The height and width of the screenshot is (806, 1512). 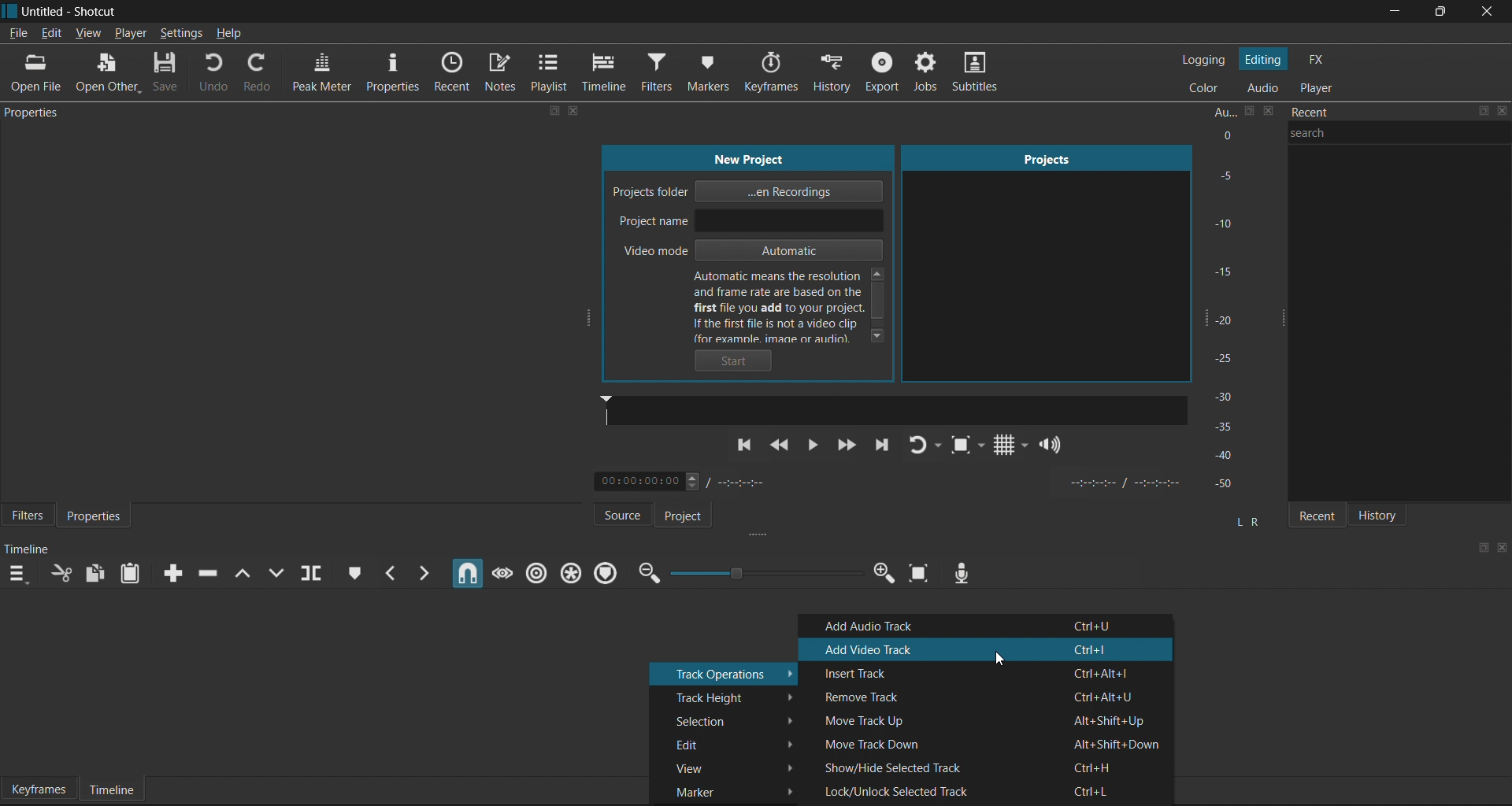 I want to click on Next, so click(x=883, y=448).